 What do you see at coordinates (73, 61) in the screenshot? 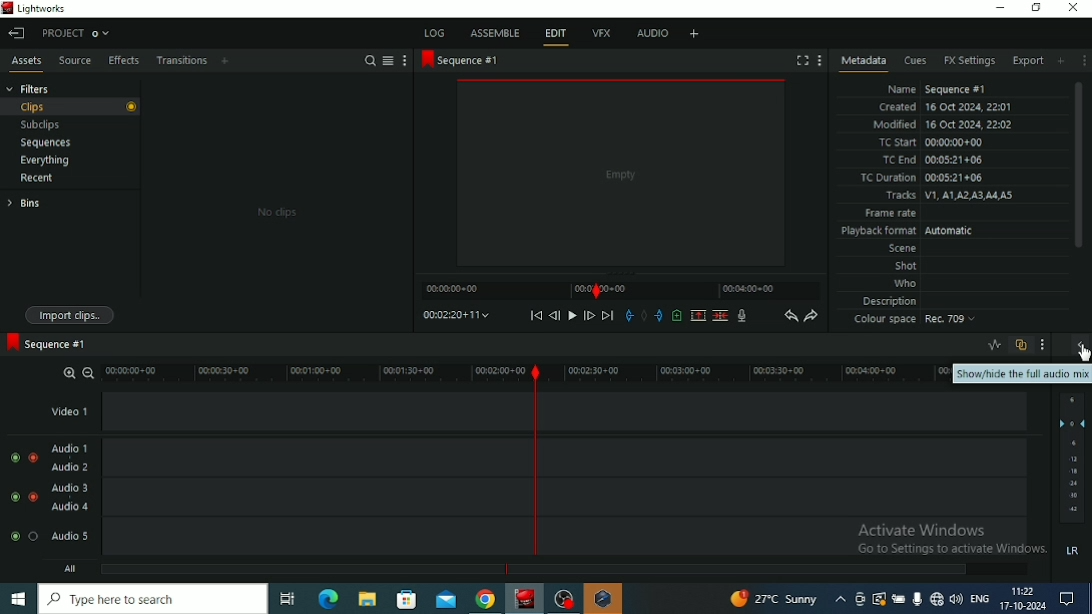
I see `Source` at bounding box center [73, 61].